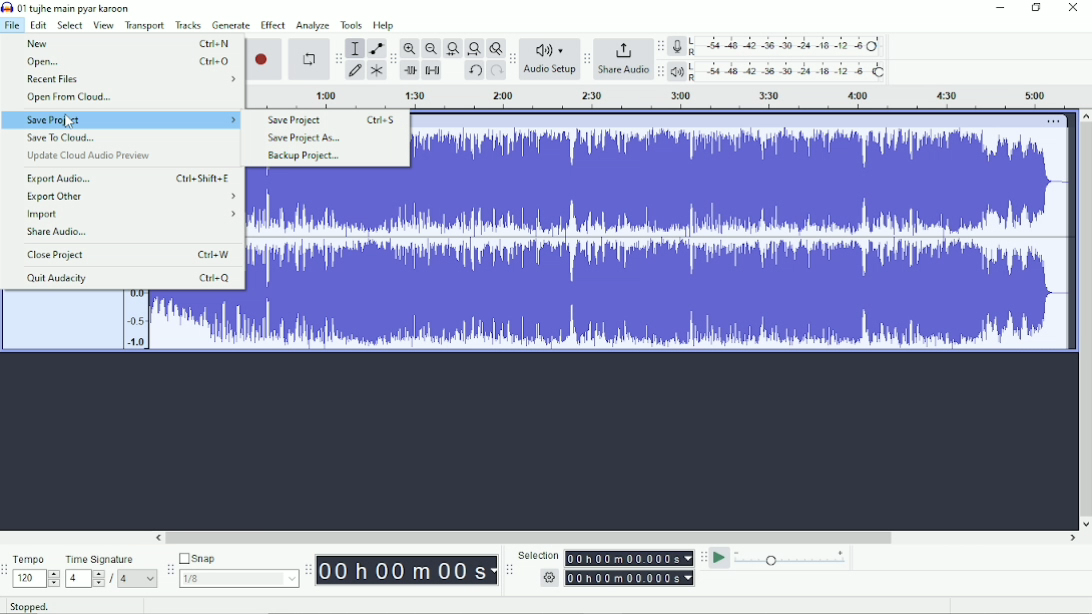 The image size is (1092, 614). What do you see at coordinates (327, 258) in the screenshot?
I see `Audio` at bounding box center [327, 258].